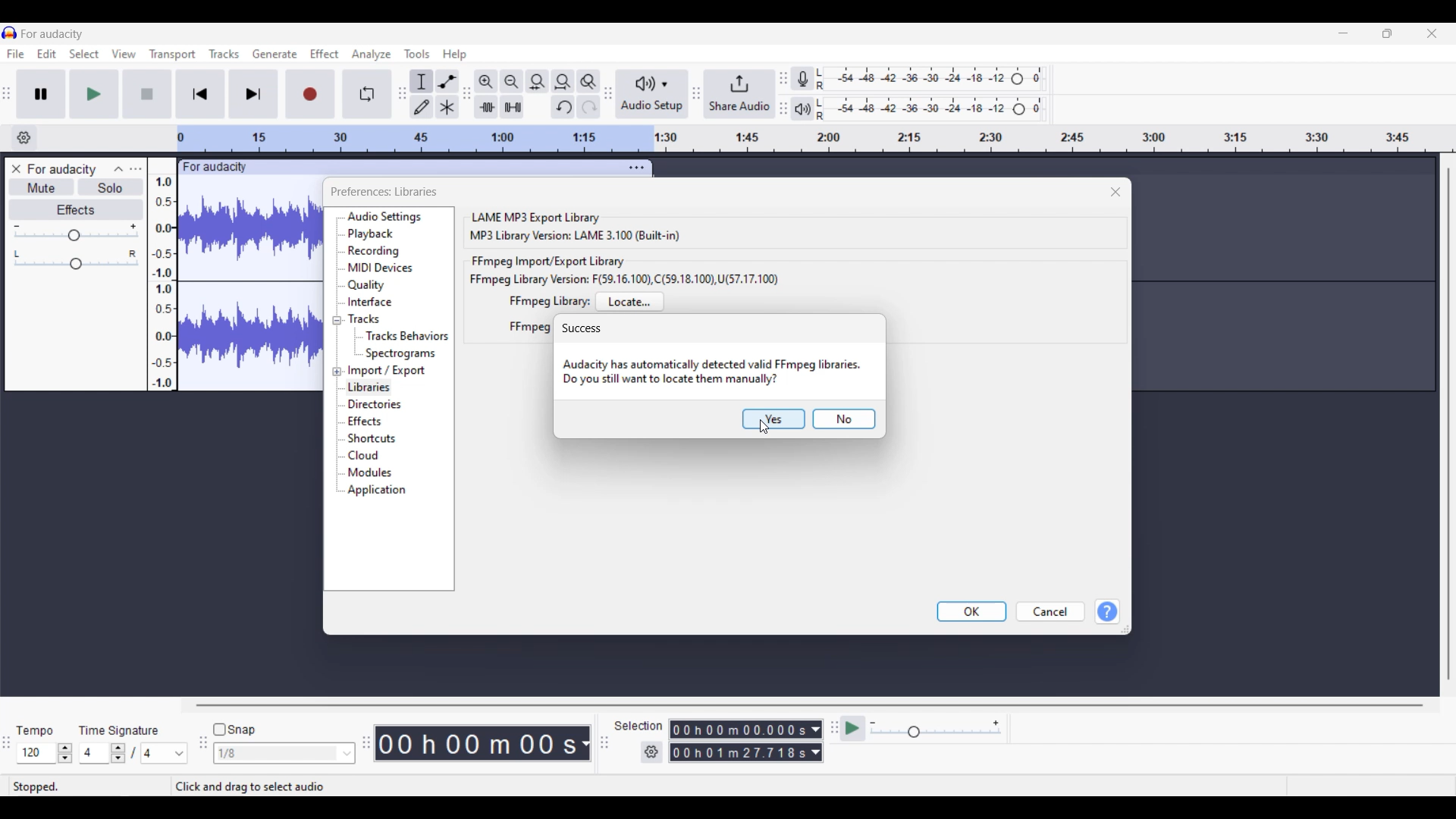 This screenshot has height=819, width=1456. What do you see at coordinates (36, 786) in the screenshot?
I see `stopped` at bounding box center [36, 786].